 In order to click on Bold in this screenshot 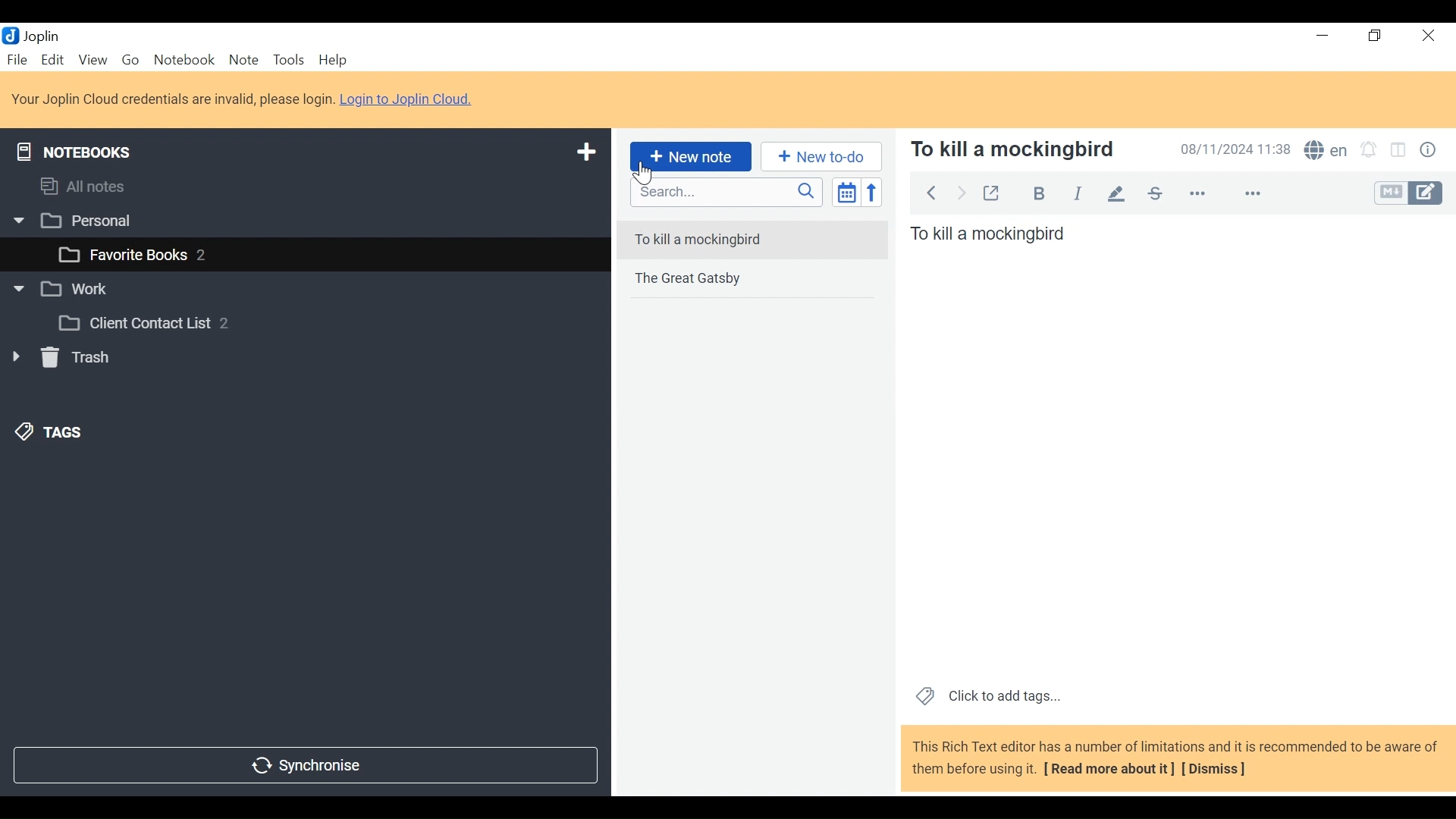, I will do `click(1043, 193)`.